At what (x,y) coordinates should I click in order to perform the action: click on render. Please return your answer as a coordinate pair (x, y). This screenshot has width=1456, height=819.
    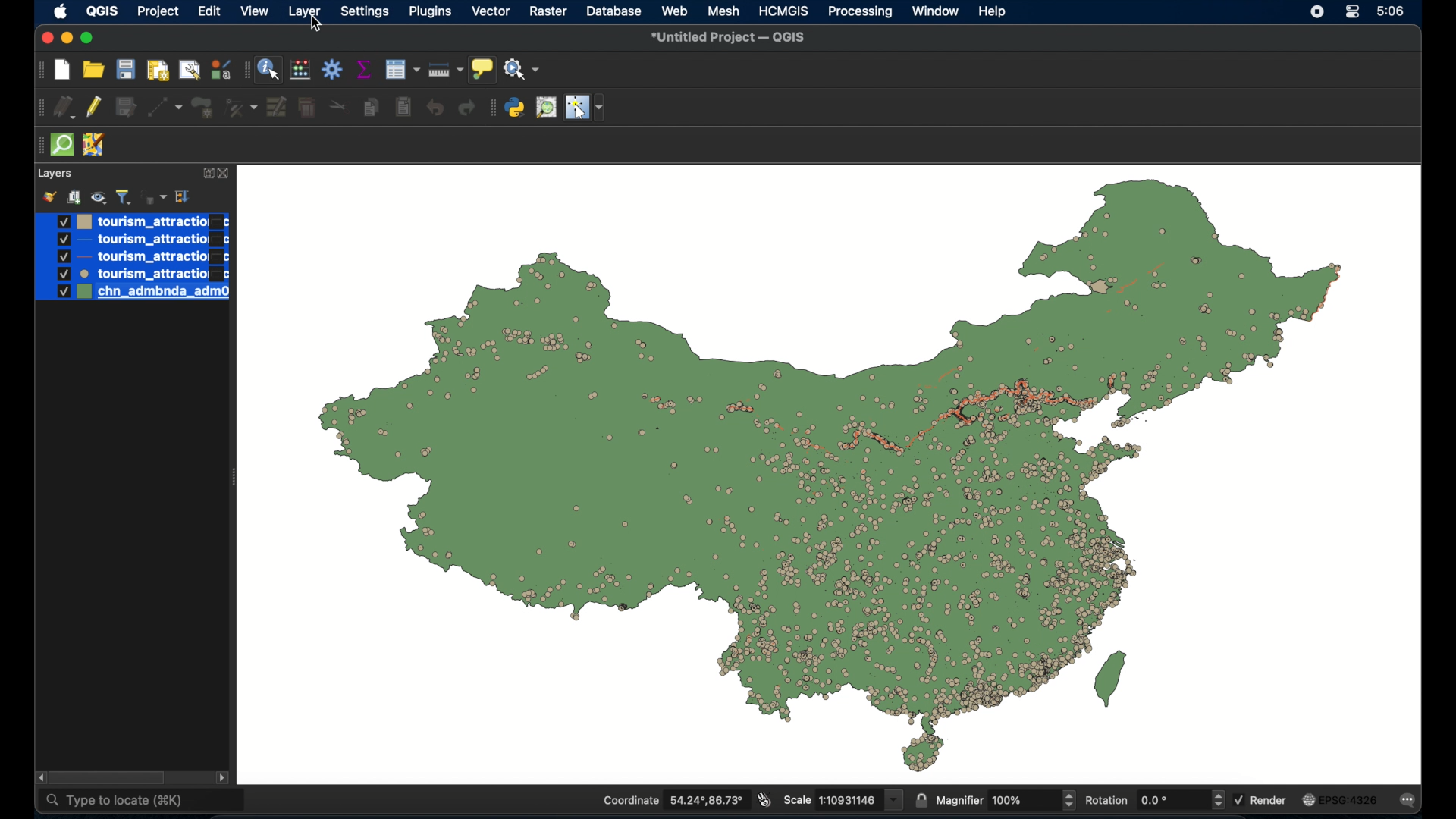
    Looking at the image, I should click on (1261, 801).